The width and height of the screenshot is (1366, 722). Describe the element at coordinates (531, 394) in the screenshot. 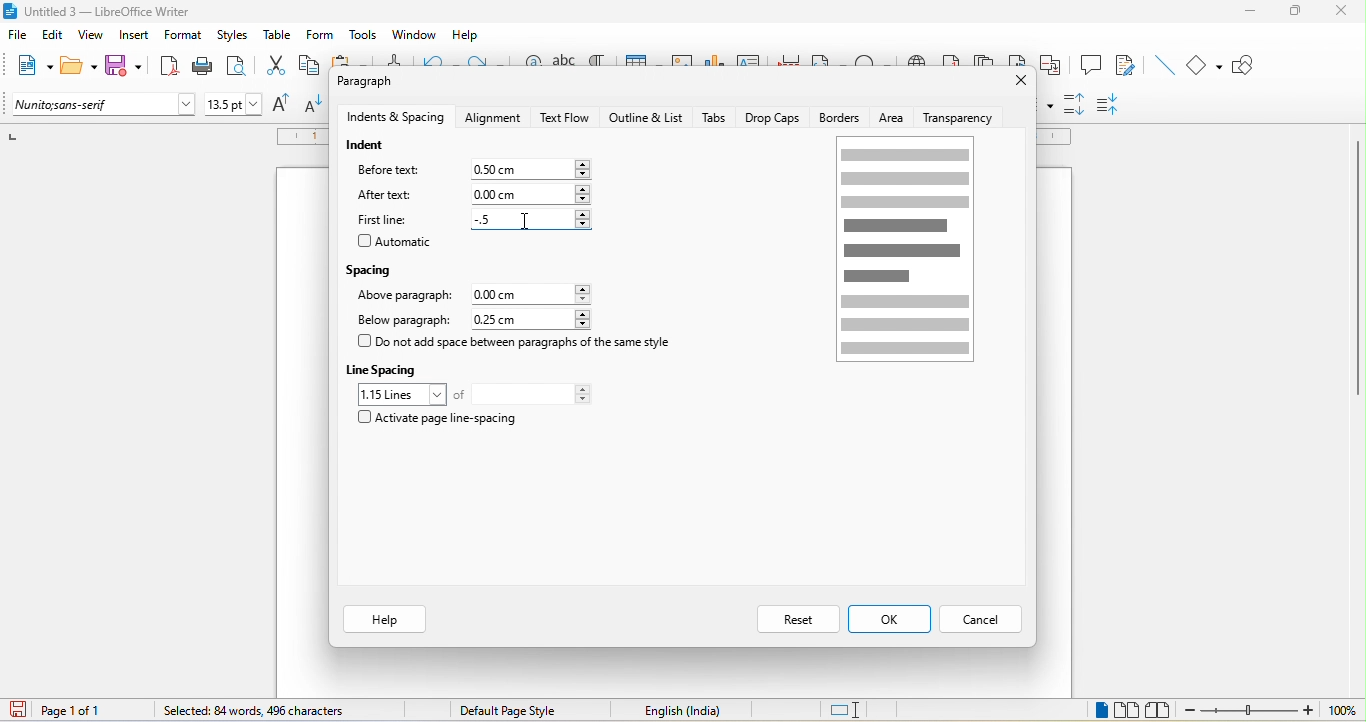

I see `total lines` at that location.